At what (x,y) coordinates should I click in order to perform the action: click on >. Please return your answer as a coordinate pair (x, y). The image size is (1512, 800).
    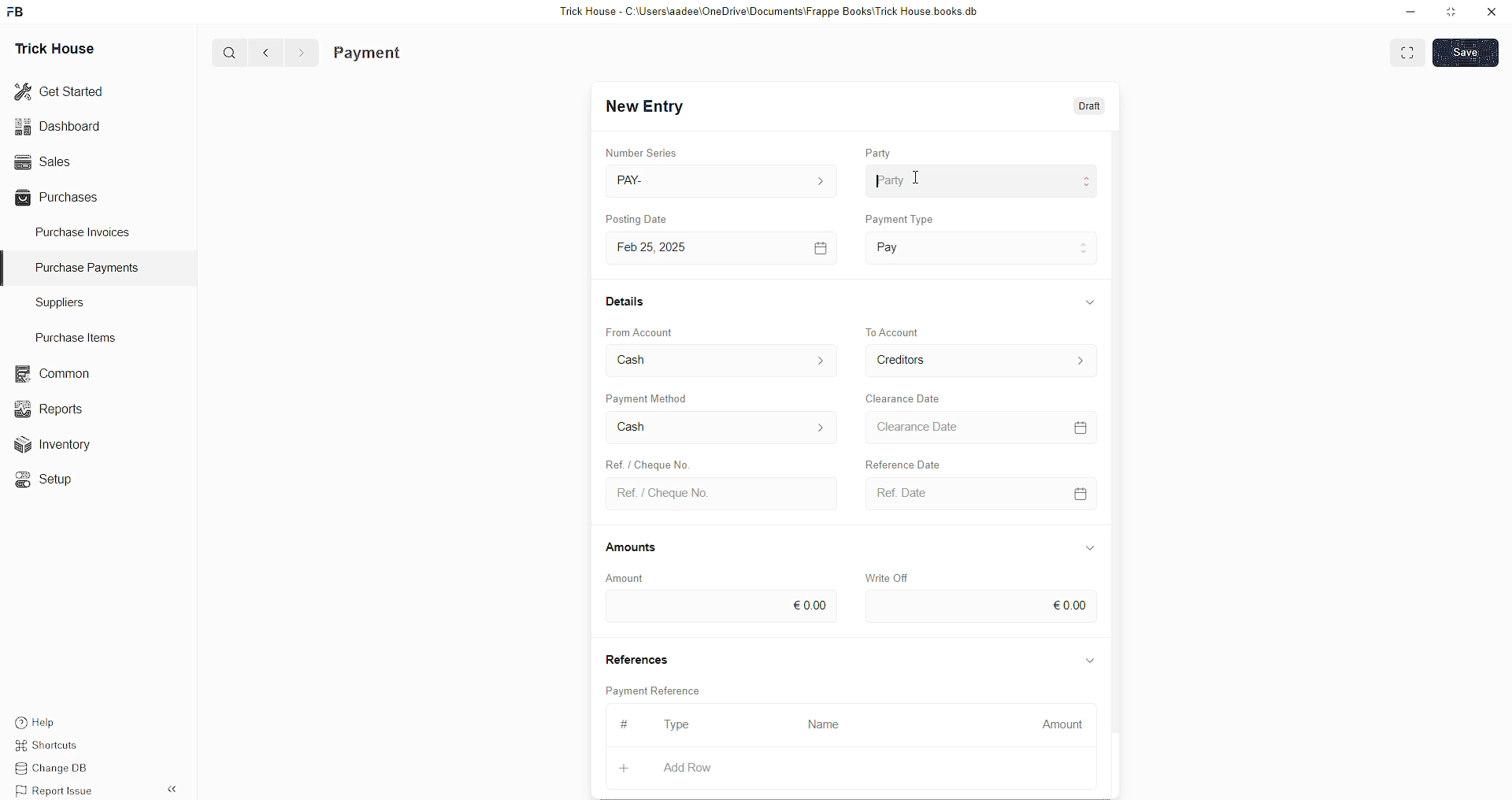
    Looking at the image, I should click on (301, 53).